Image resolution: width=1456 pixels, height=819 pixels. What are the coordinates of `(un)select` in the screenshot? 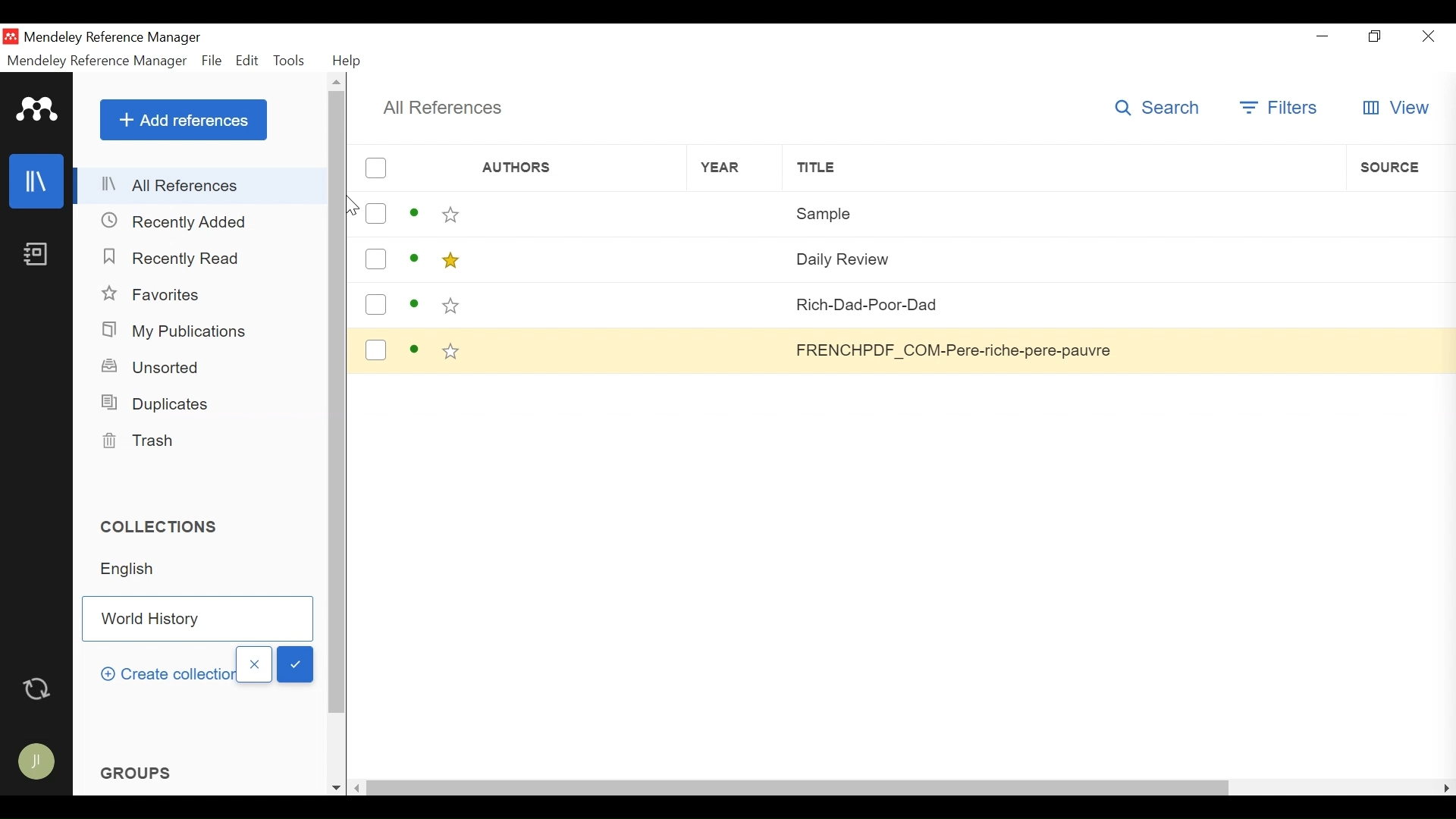 It's located at (375, 168).